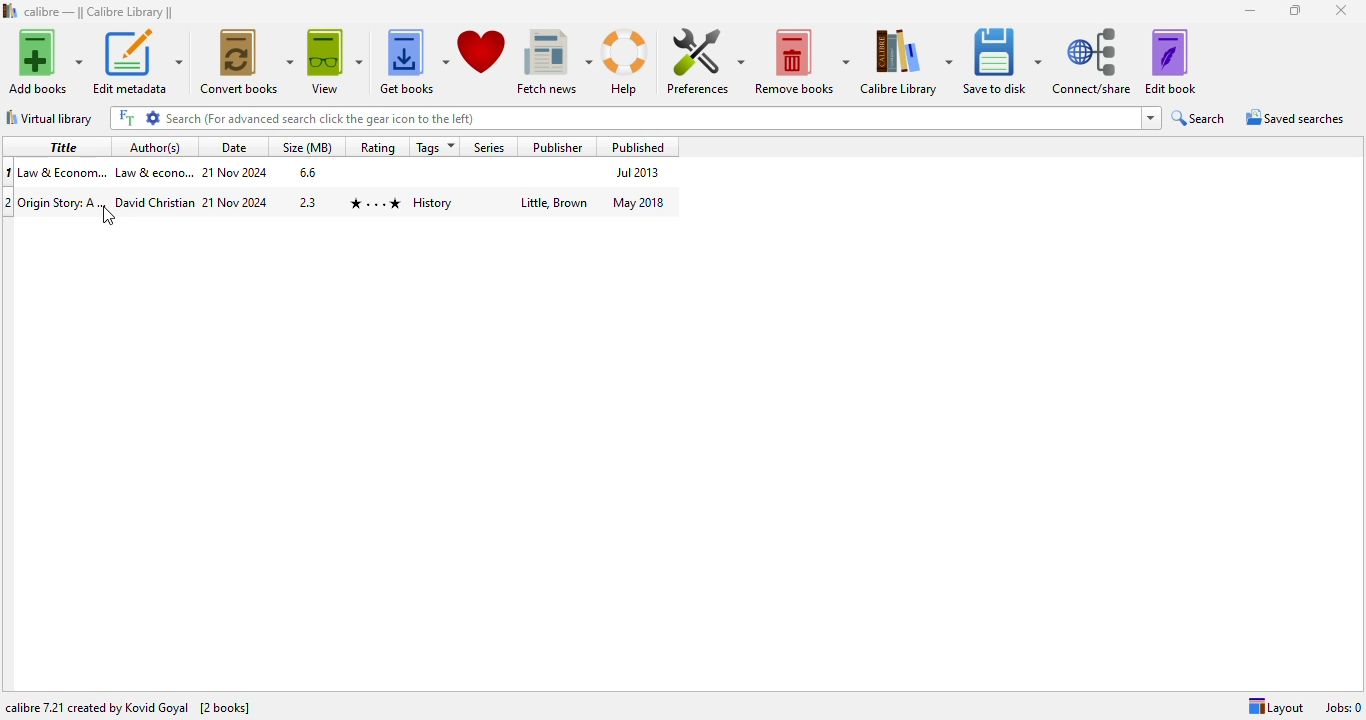 This screenshot has height=720, width=1366. Describe the element at coordinates (109, 215) in the screenshot. I see `cursor` at that location.